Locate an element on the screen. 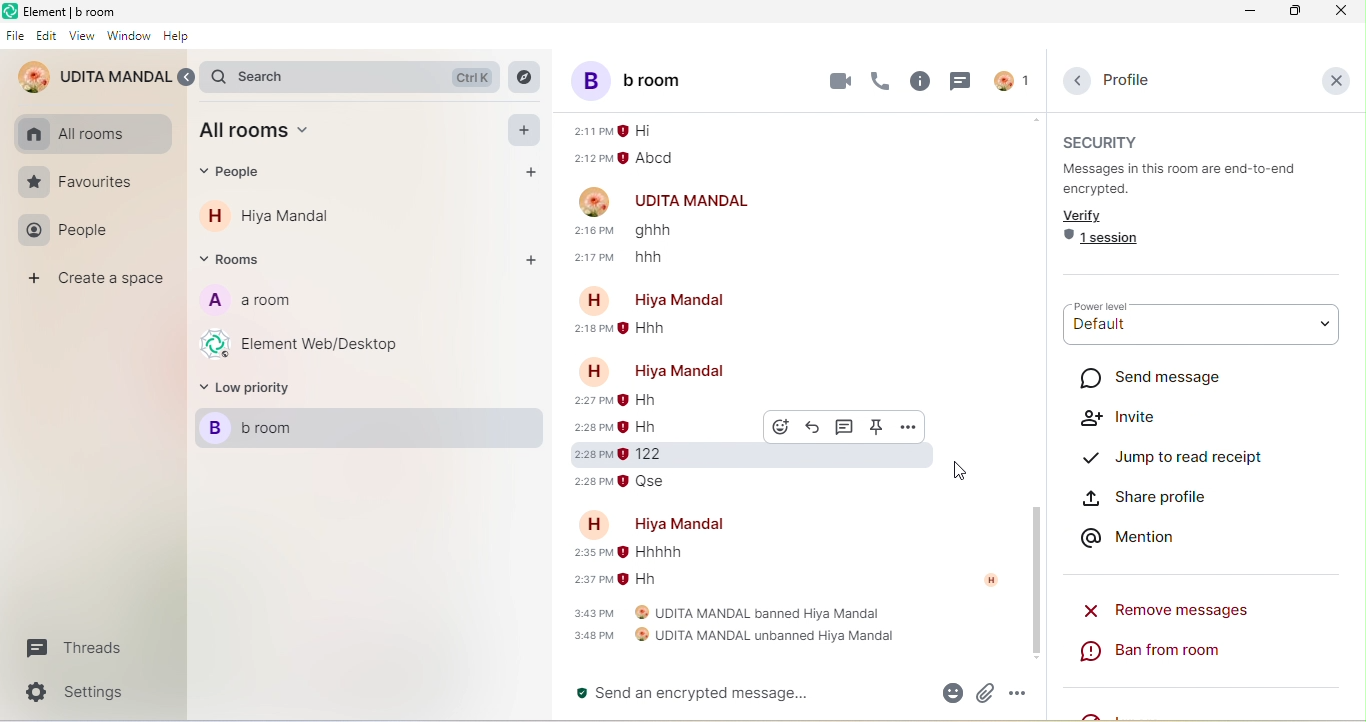 Image resolution: width=1366 pixels, height=722 pixels. room info is located at coordinates (921, 82).